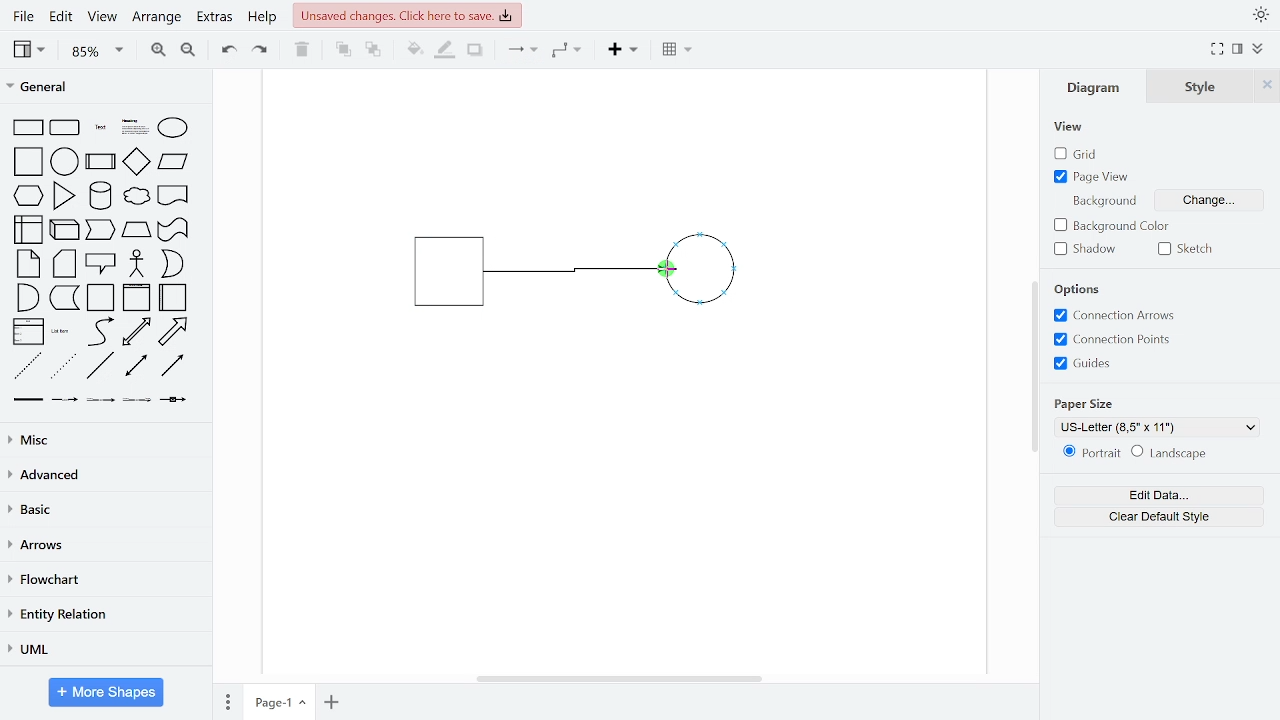 Image resolution: width=1280 pixels, height=720 pixels. I want to click on text box, so click(136, 129).